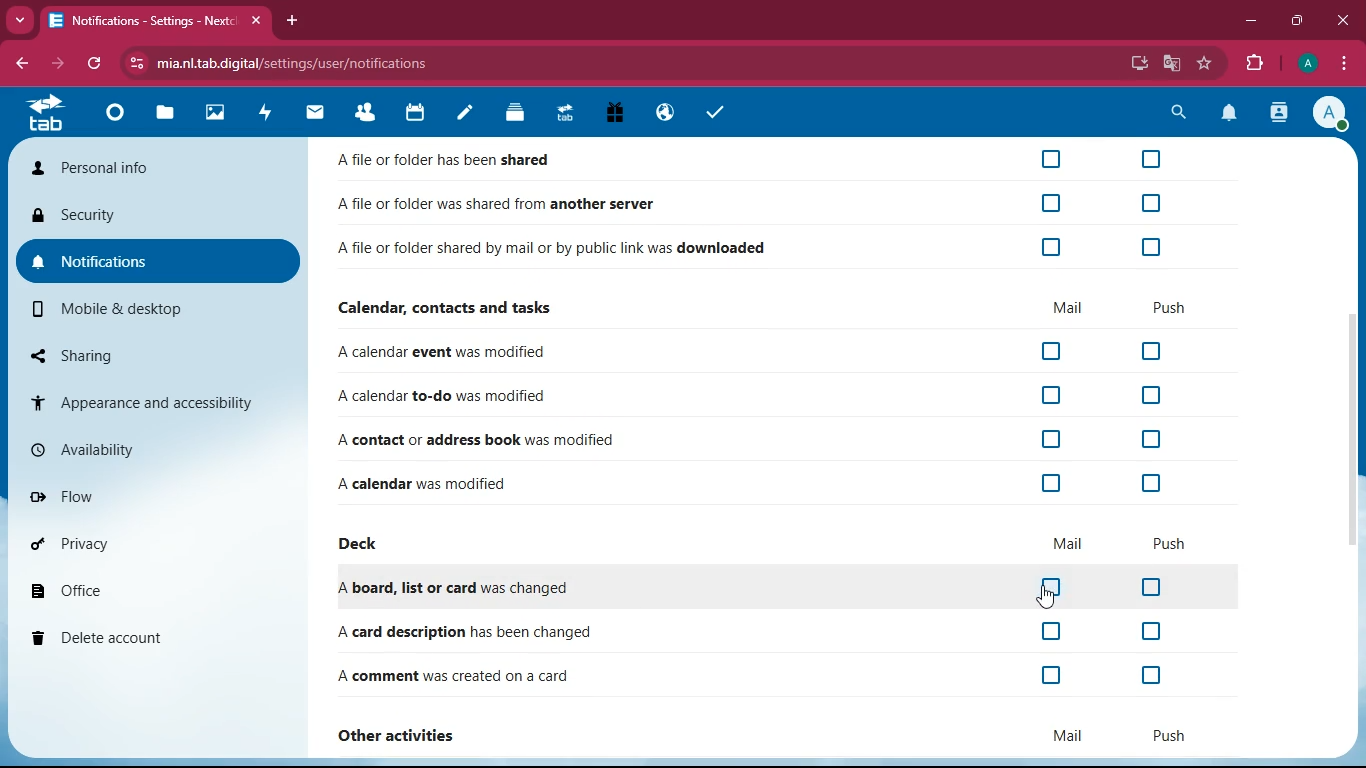 The image size is (1366, 768). Describe the element at coordinates (316, 114) in the screenshot. I see `mail` at that location.